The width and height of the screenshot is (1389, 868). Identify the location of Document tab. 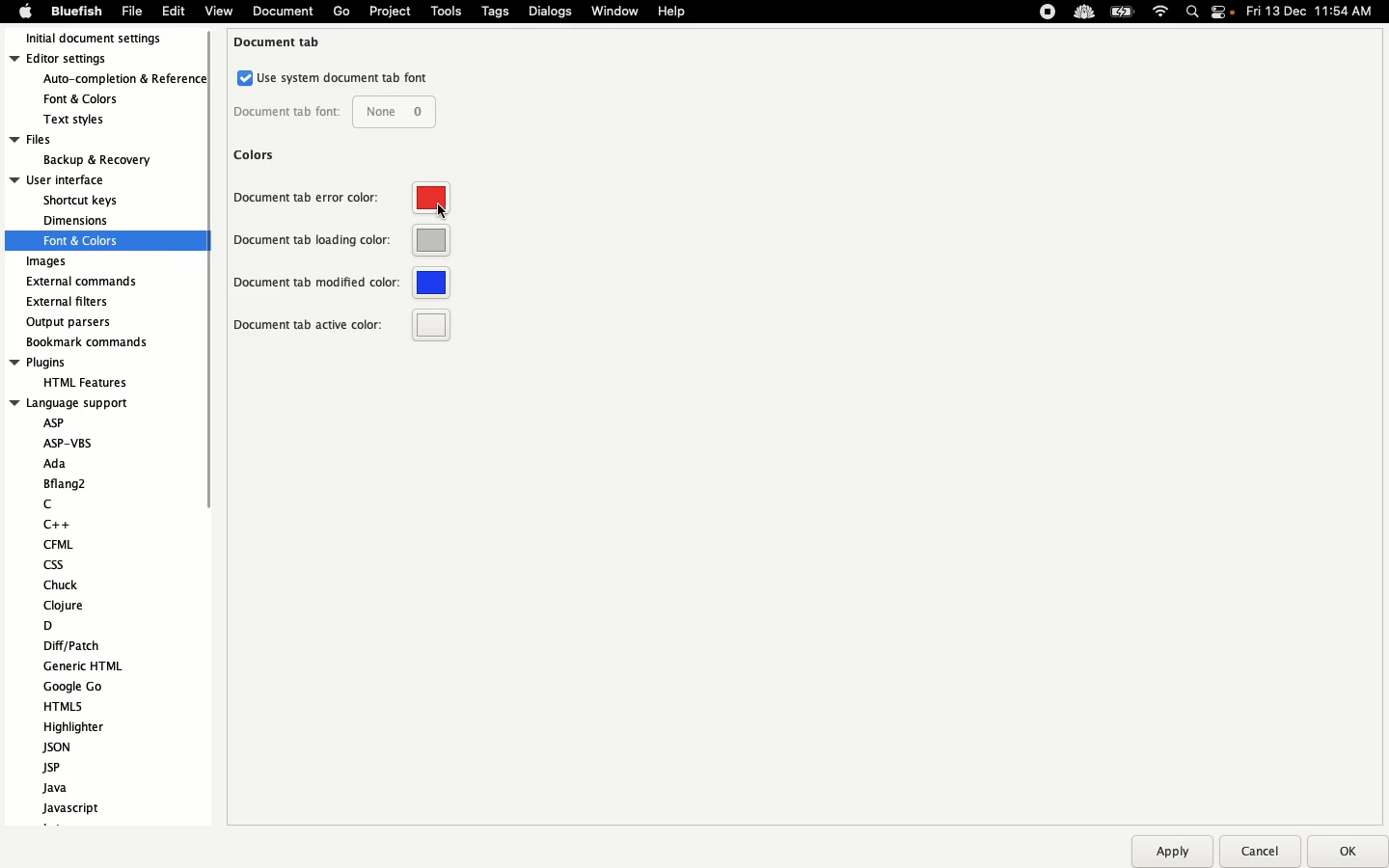
(280, 42).